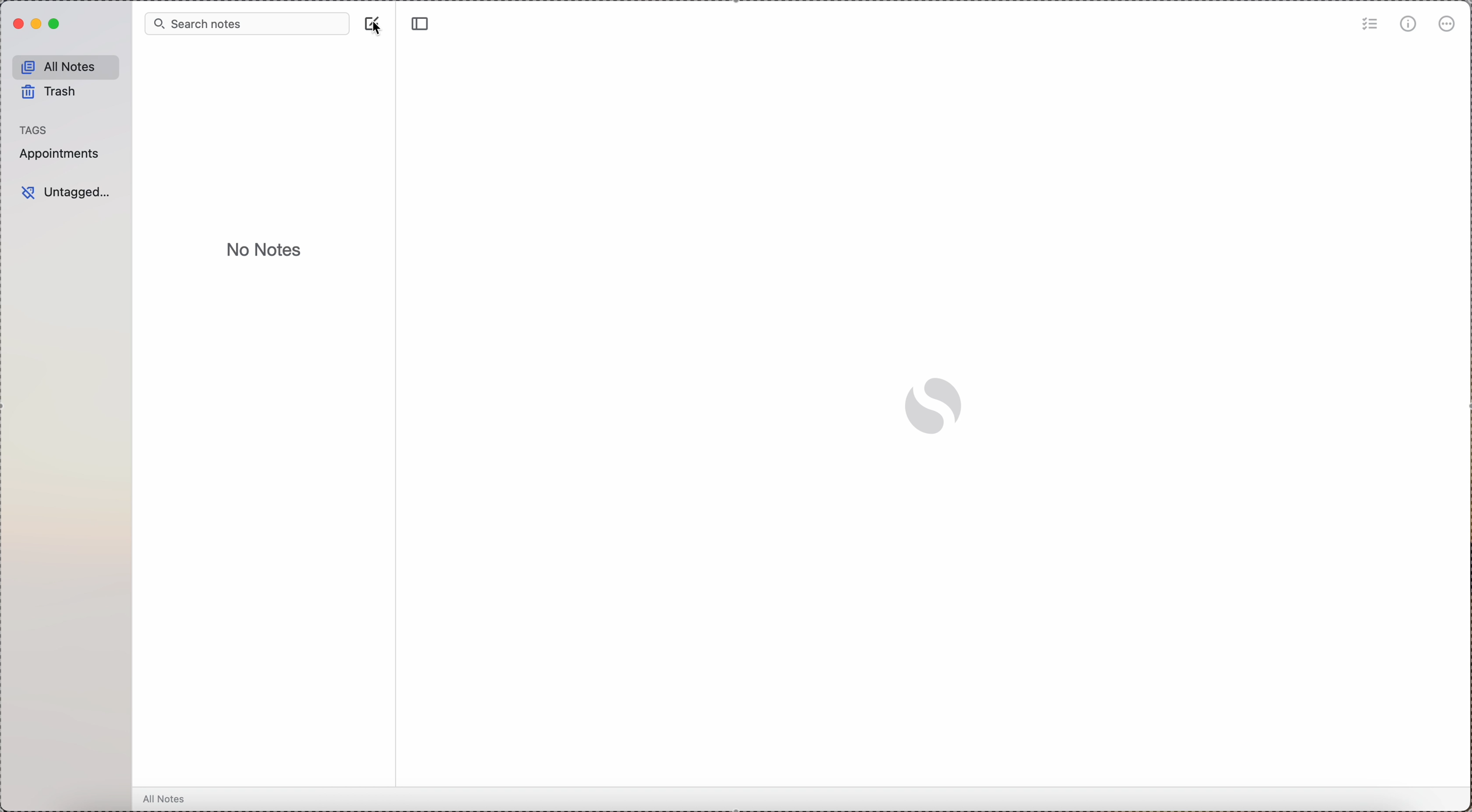 The width and height of the screenshot is (1472, 812). What do you see at coordinates (17, 24) in the screenshot?
I see `close Simplenote` at bounding box center [17, 24].